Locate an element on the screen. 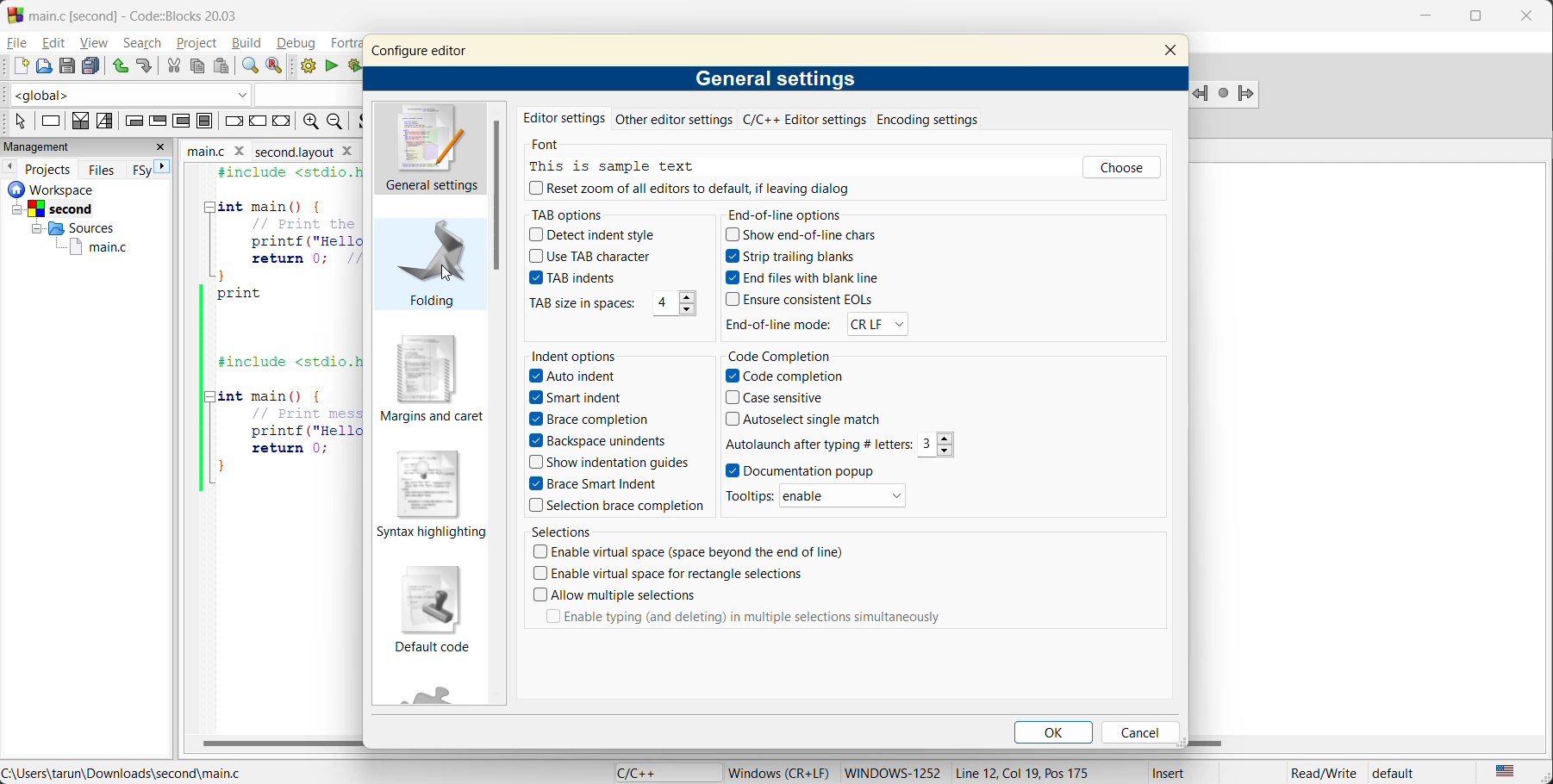 The width and height of the screenshot is (1553, 784). counting loop is located at coordinates (183, 121).